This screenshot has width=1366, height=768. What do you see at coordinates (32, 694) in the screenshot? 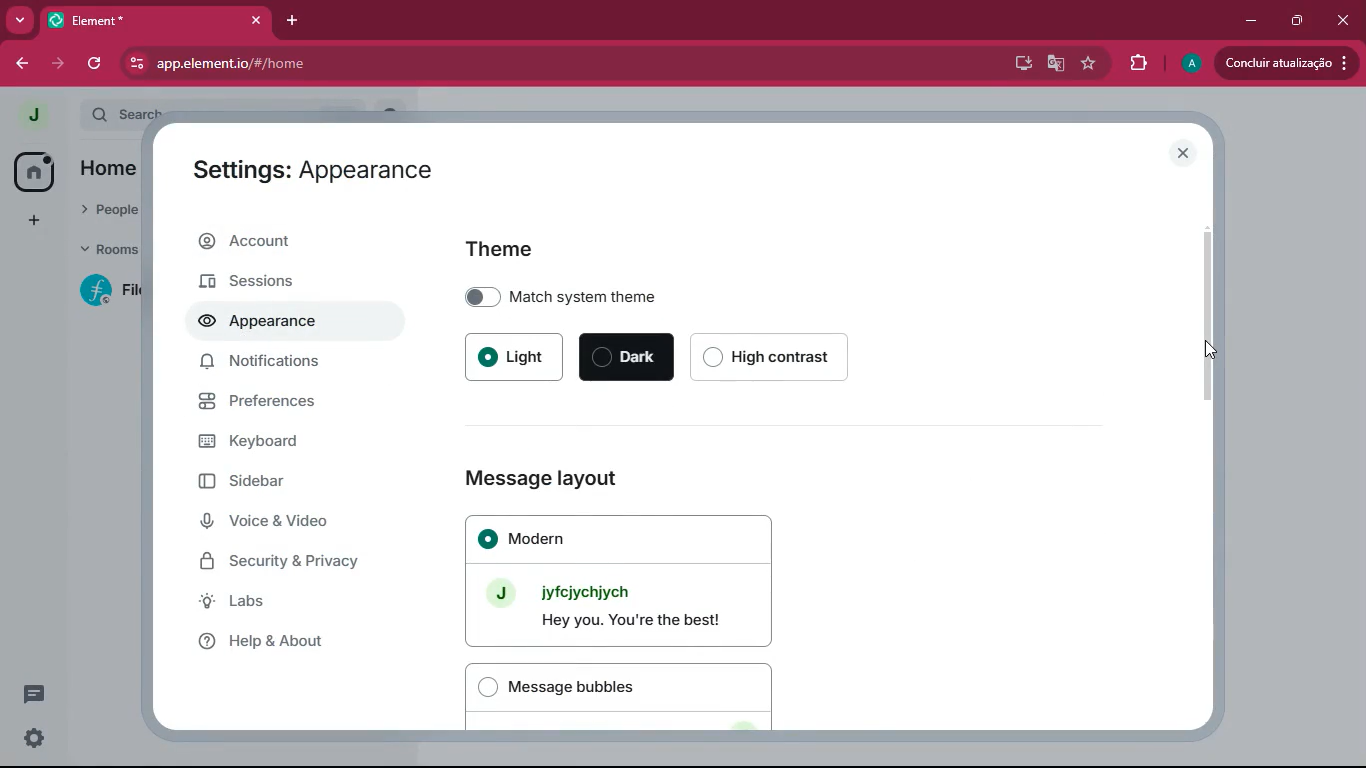
I see `message` at bounding box center [32, 694].